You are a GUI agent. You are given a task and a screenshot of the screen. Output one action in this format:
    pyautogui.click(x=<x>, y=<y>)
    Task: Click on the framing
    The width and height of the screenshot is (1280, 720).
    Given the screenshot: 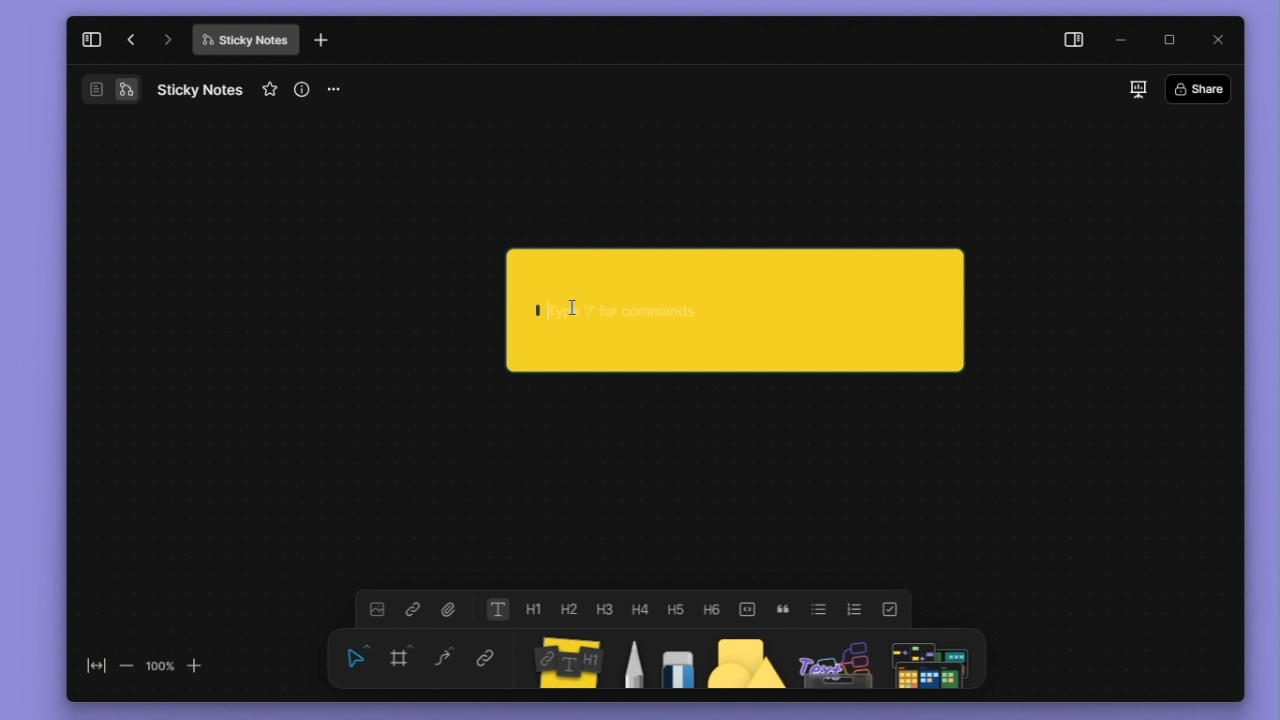 What is the action you would take?
    pyautogui.click(x=401, y=659)
    